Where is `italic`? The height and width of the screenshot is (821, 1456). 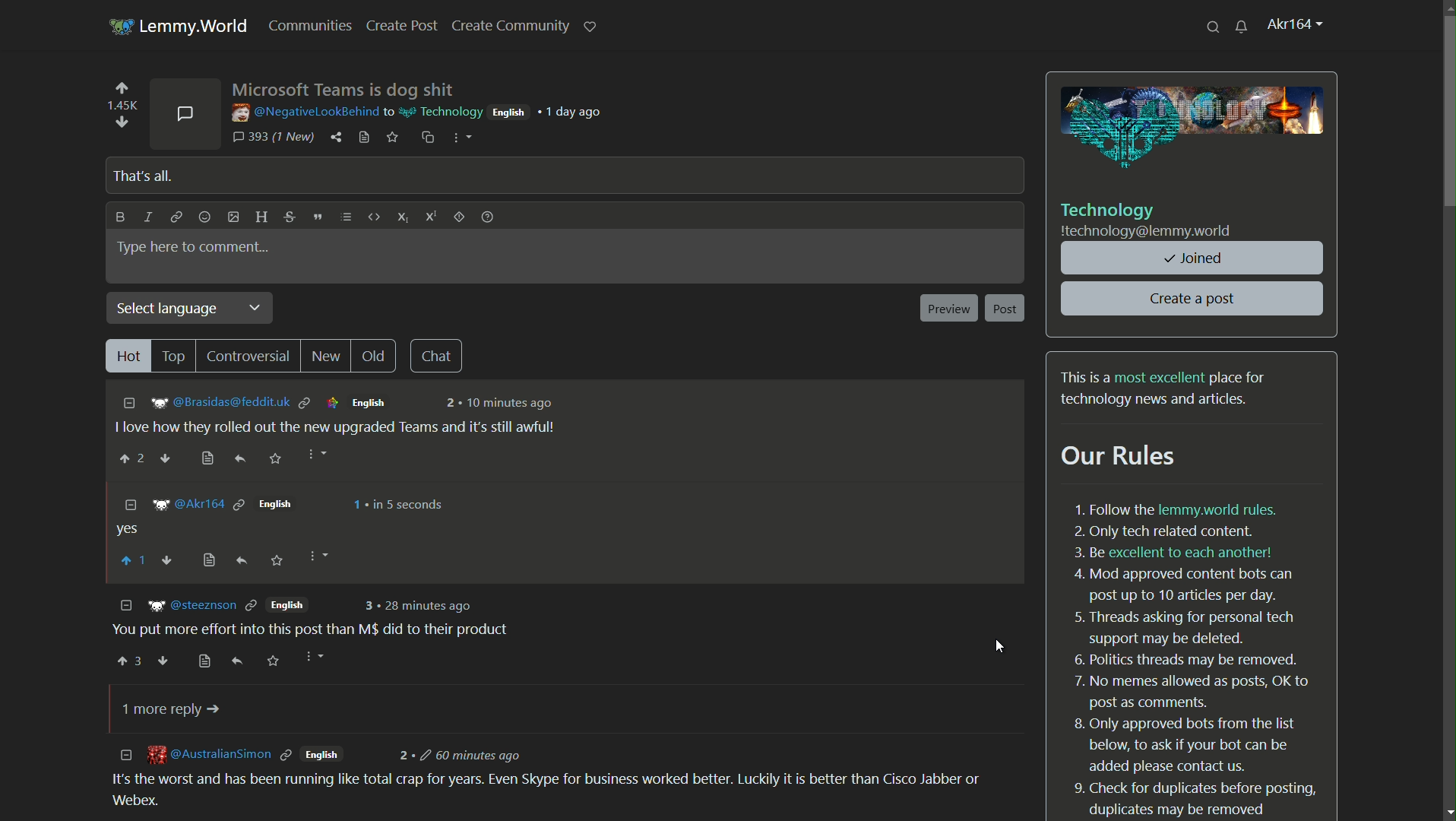 italic is located at coordinates (150, 217).